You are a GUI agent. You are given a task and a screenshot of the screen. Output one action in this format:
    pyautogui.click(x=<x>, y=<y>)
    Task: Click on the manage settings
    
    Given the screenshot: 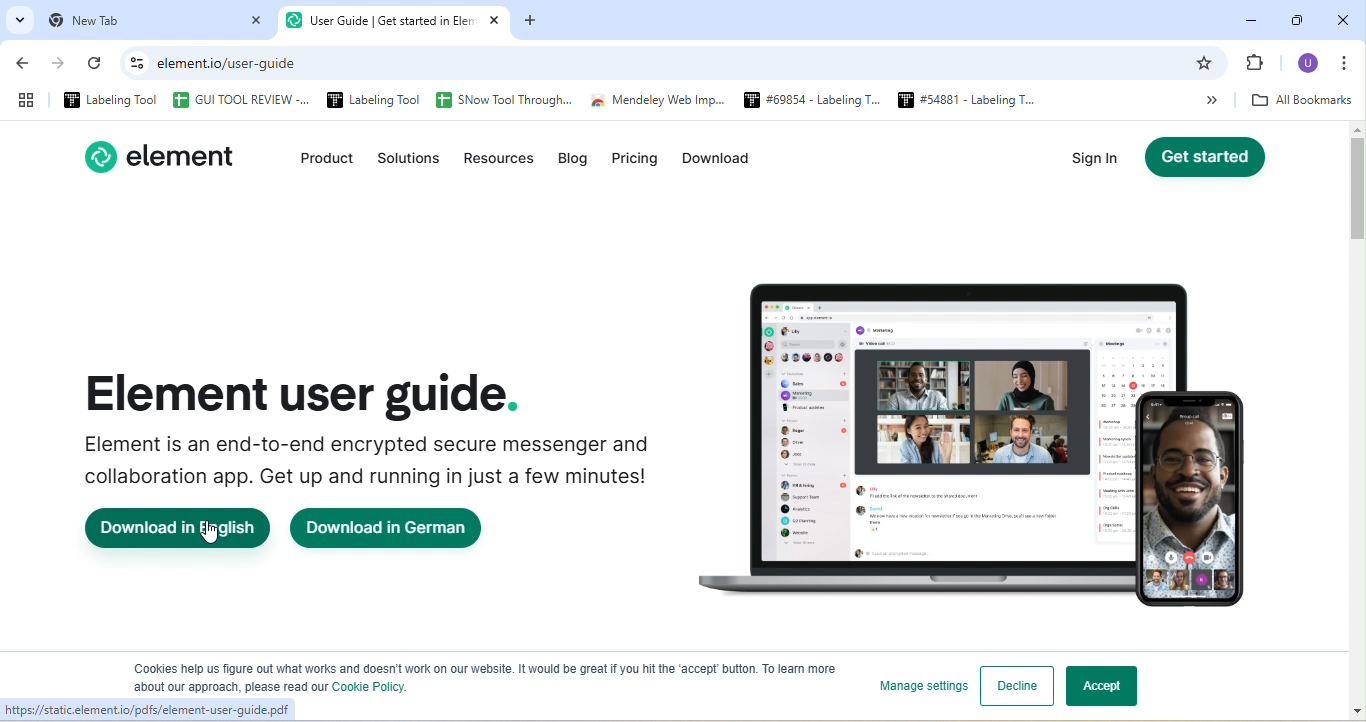 What is the action you would take?
    pyautogui.click(x=918, y=686)
    